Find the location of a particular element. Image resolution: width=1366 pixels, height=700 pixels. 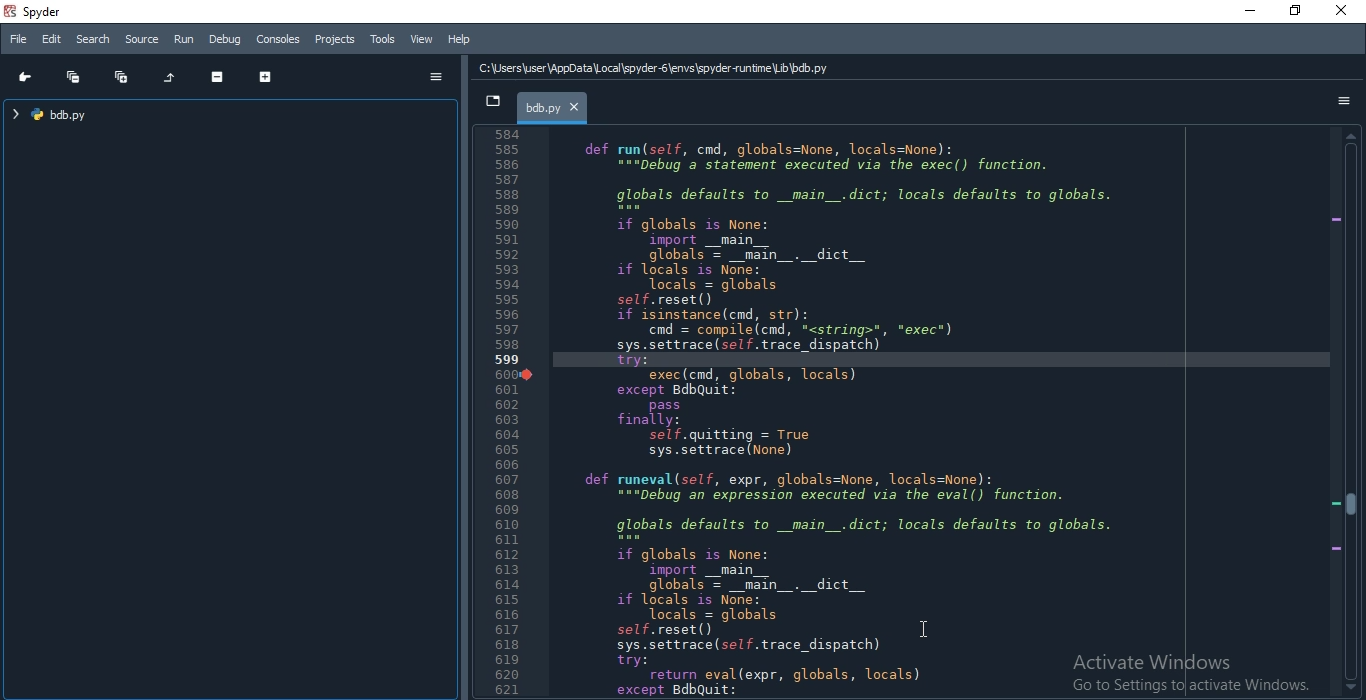

Search is located at coordinates (94, 39).